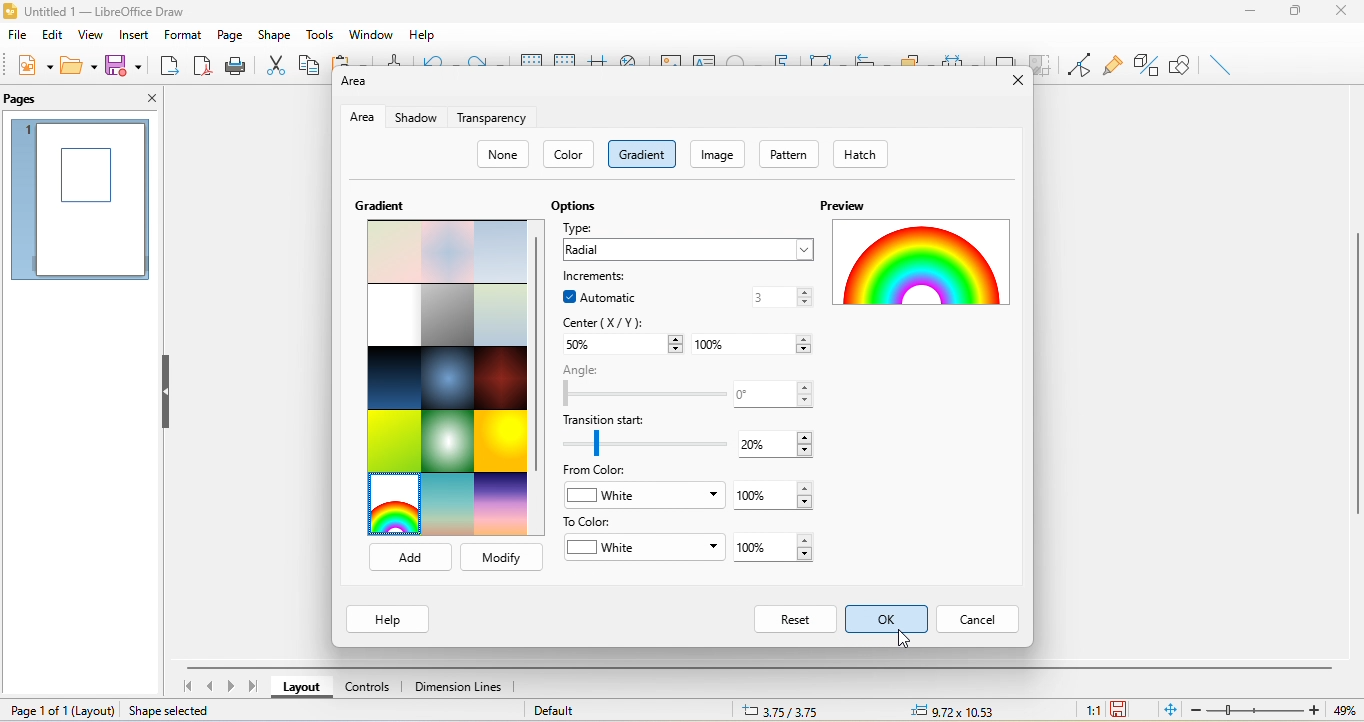 This screenshot has height=722, width=1364. What do you see at coordinates (463, 686) in the screenshot?
I see `dimension lines` at bounding box center [463, 686].